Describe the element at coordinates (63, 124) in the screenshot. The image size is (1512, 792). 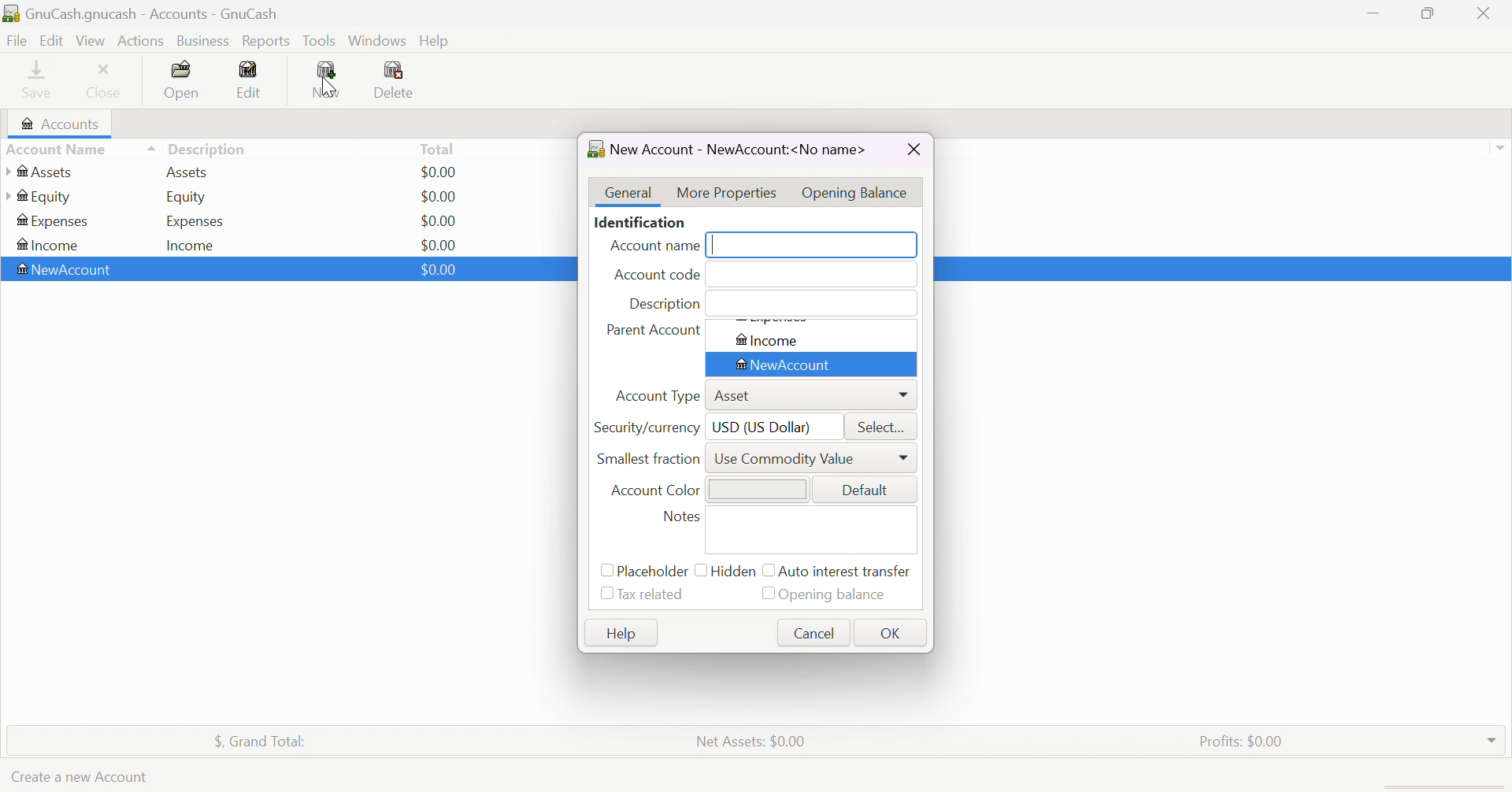
I see `Accounts` at that location.